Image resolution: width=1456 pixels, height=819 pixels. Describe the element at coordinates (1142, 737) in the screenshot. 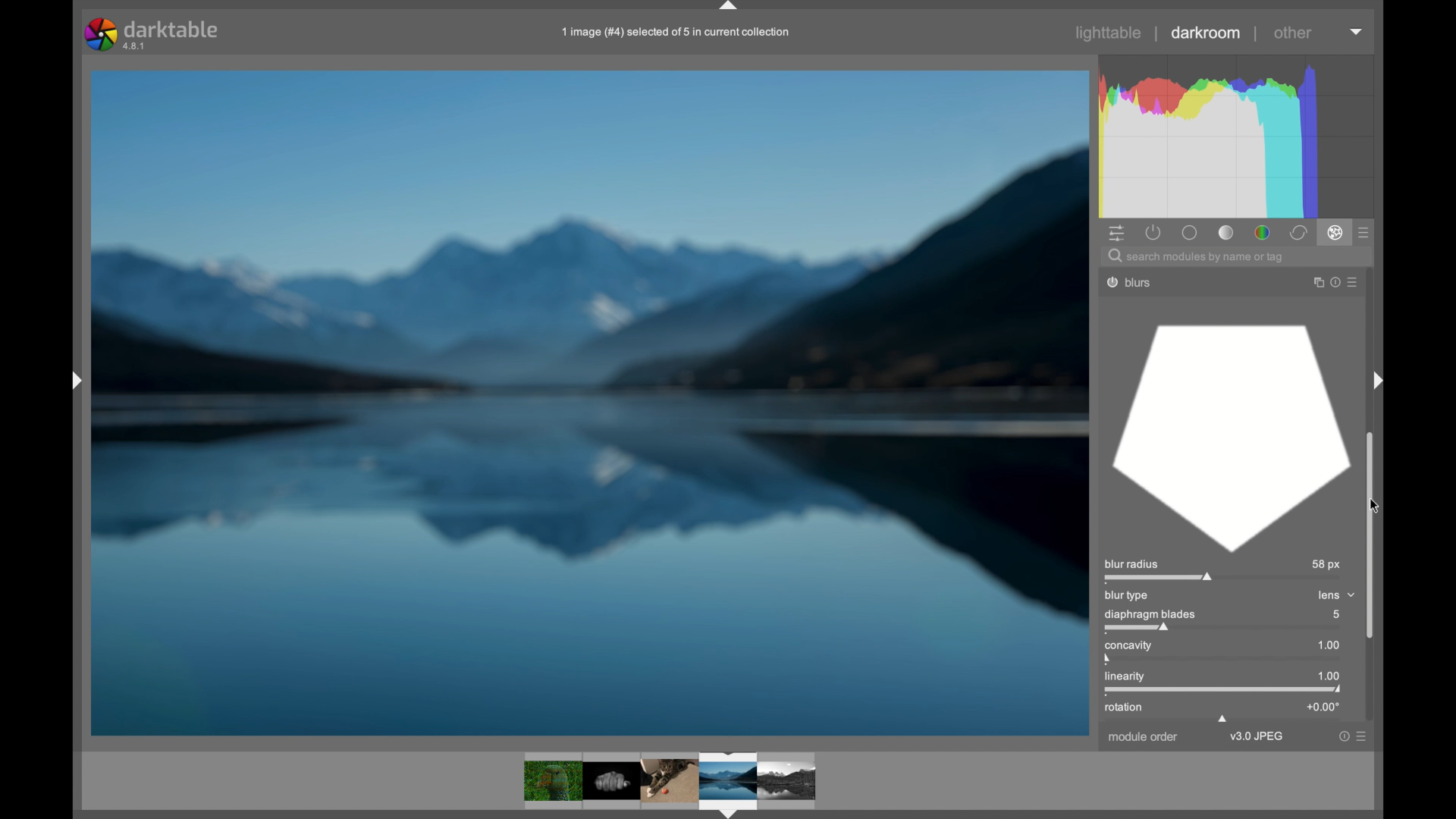

I see `module order` at that location.